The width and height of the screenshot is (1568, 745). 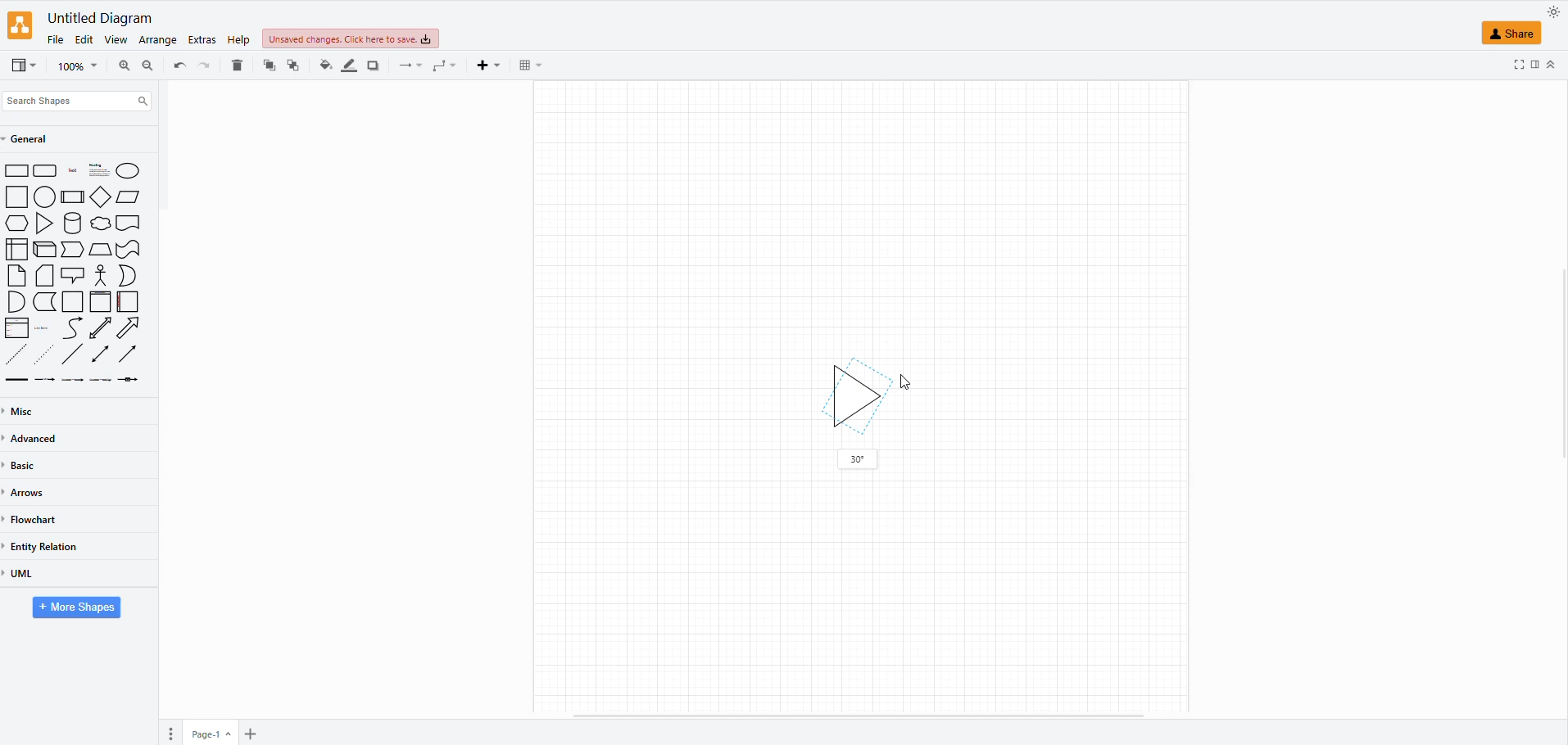 What do you see at coordinates (372, 63) in the screenshot?
I see `shadow` at bounding box center [372, 63].